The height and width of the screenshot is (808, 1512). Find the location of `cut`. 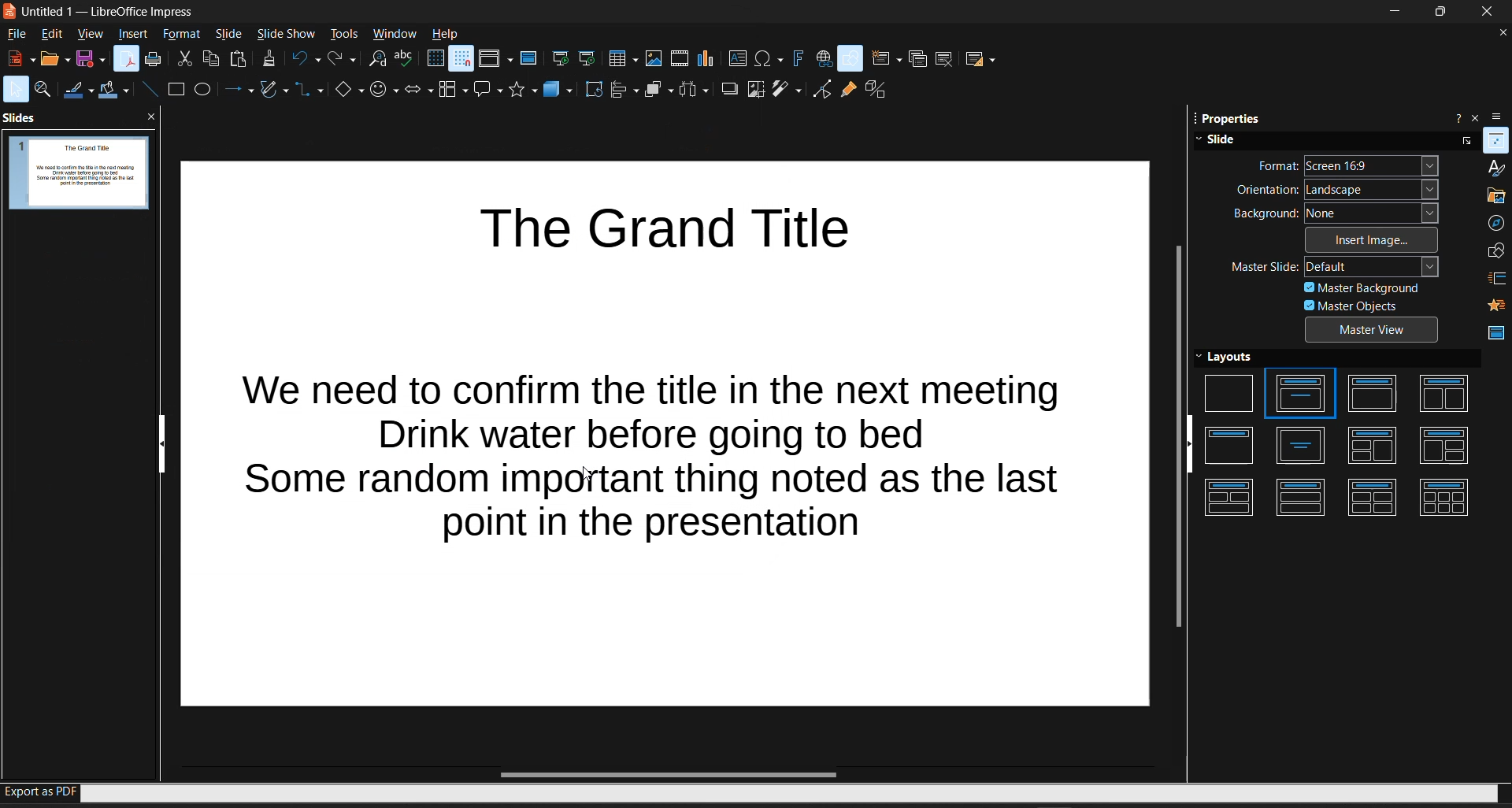

cut is located at coordinates (185, 57).